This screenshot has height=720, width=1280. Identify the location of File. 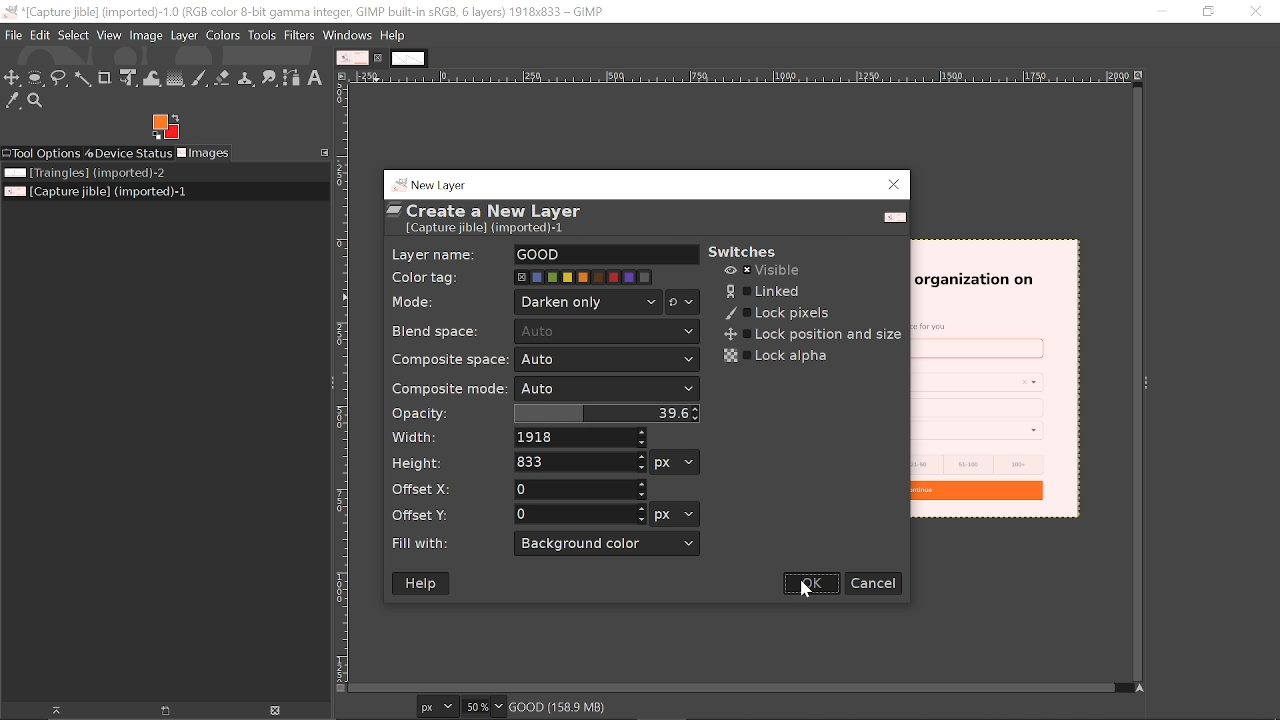
(13, 35).